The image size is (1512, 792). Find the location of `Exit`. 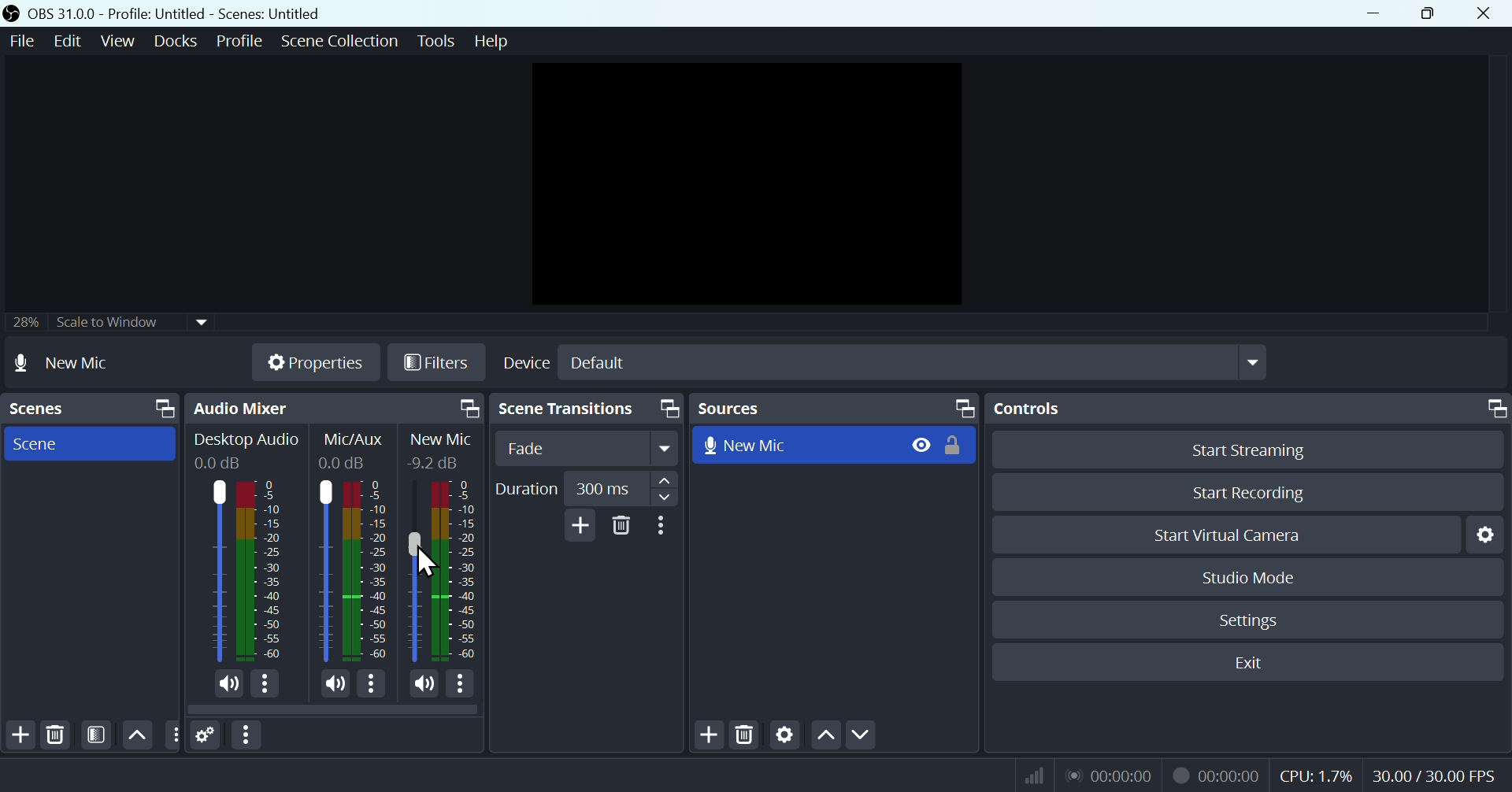

Exit is located at coordinates (1258, 663).